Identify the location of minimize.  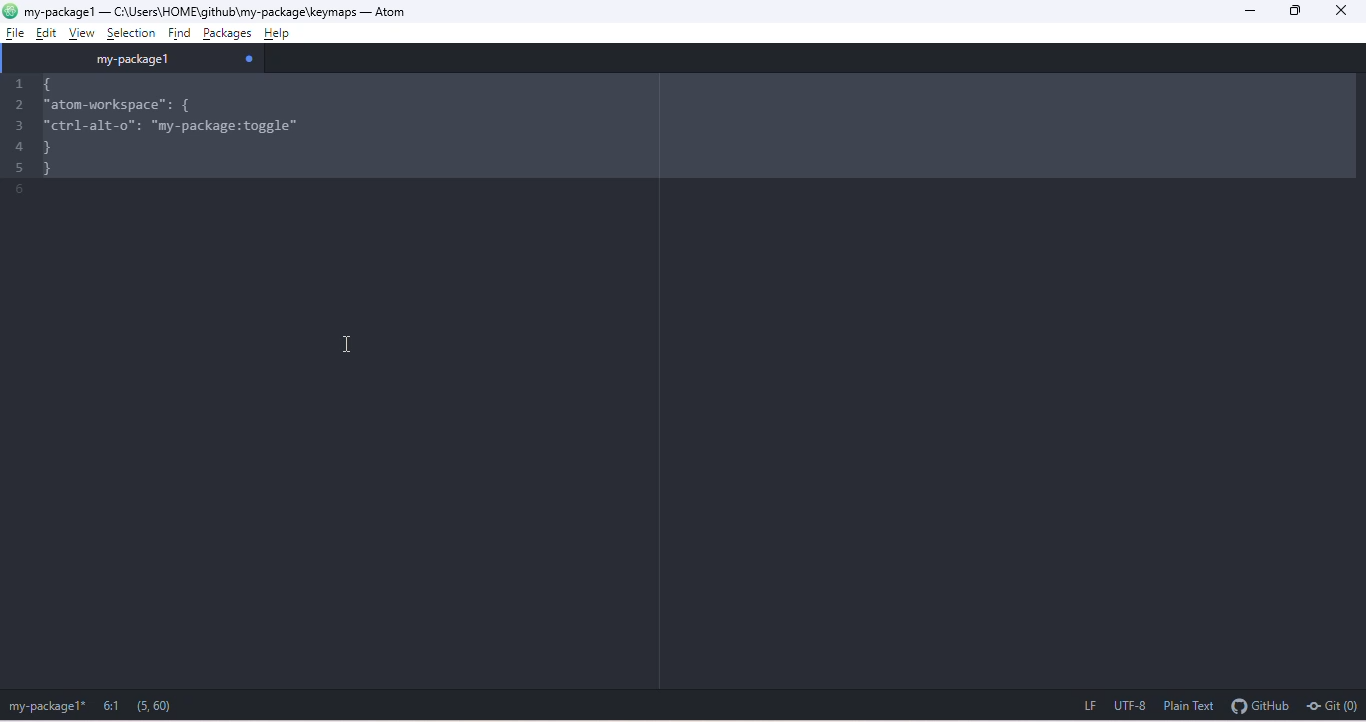
(1253, 10).